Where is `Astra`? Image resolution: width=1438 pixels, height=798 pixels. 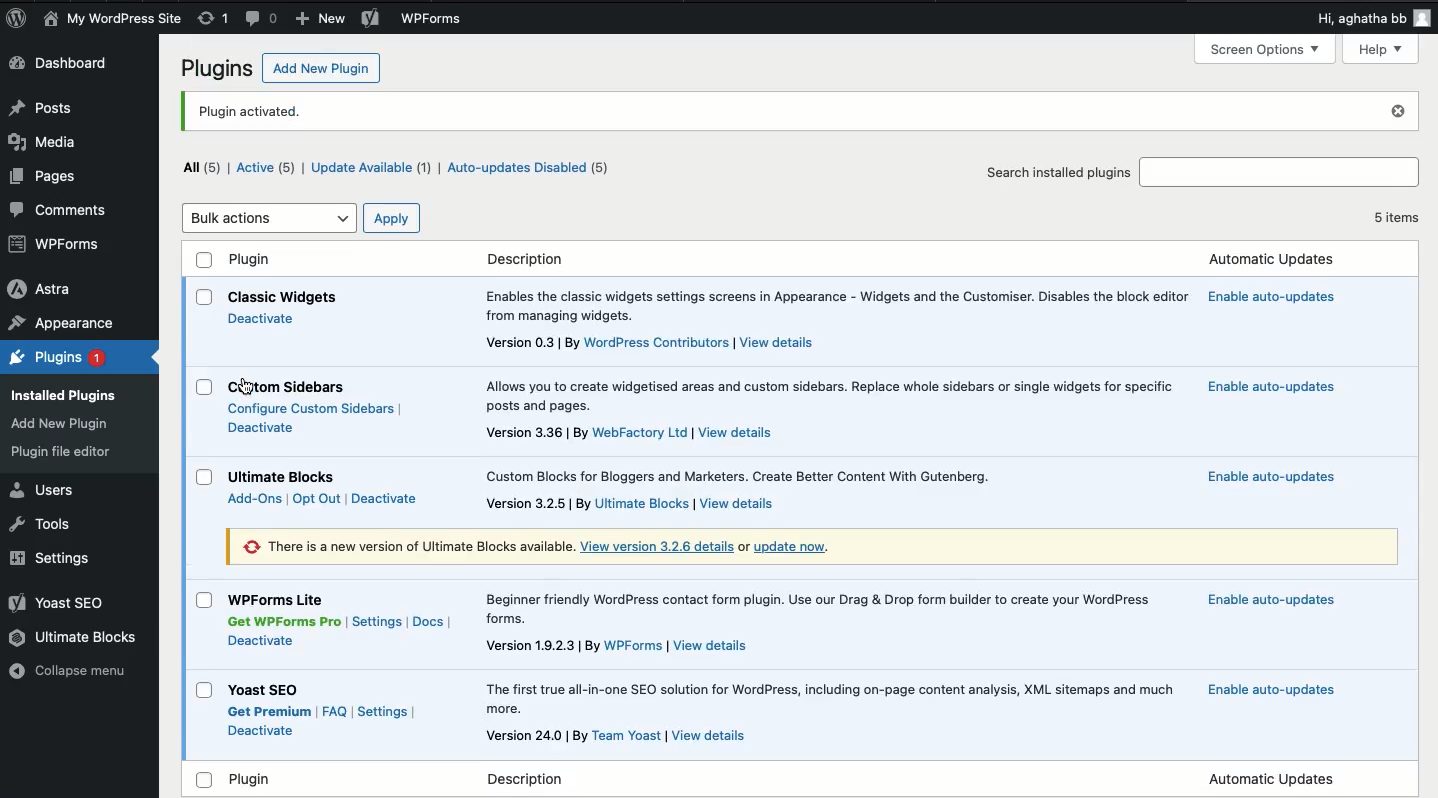
Astra is located at coordinates (41, 289).